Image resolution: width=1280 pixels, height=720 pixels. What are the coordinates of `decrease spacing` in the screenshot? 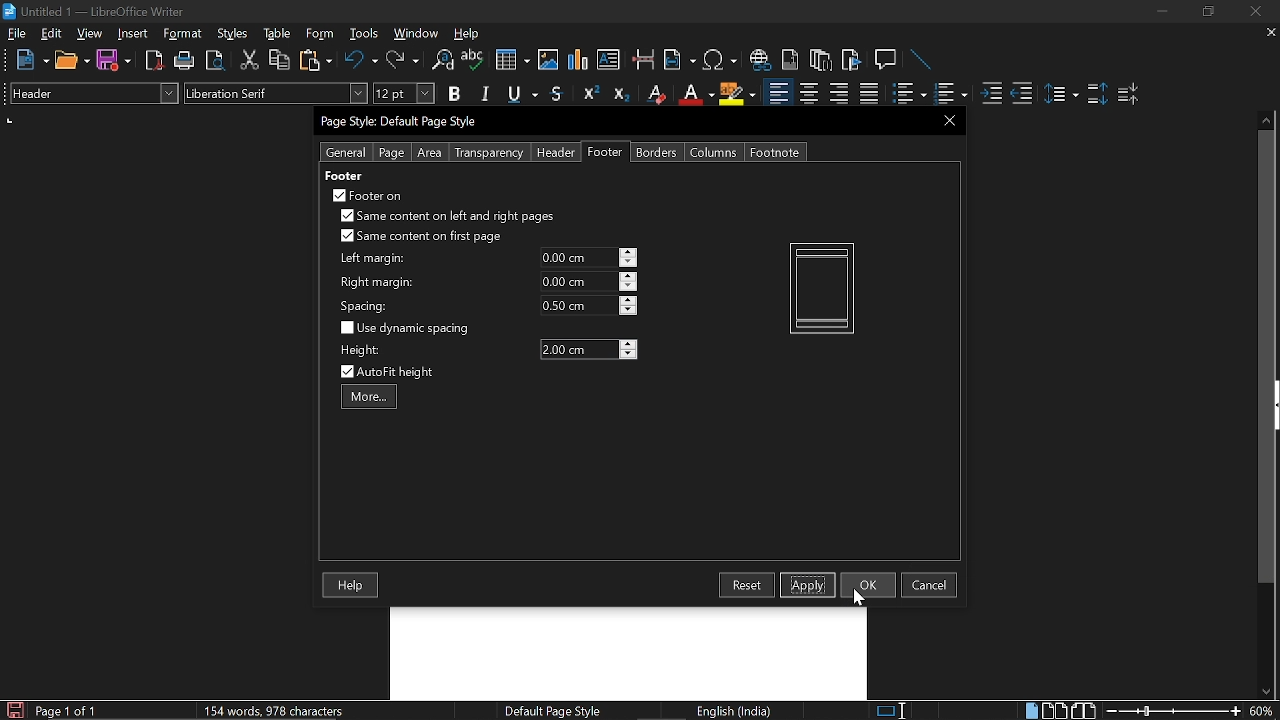 It's located at (628, 311).